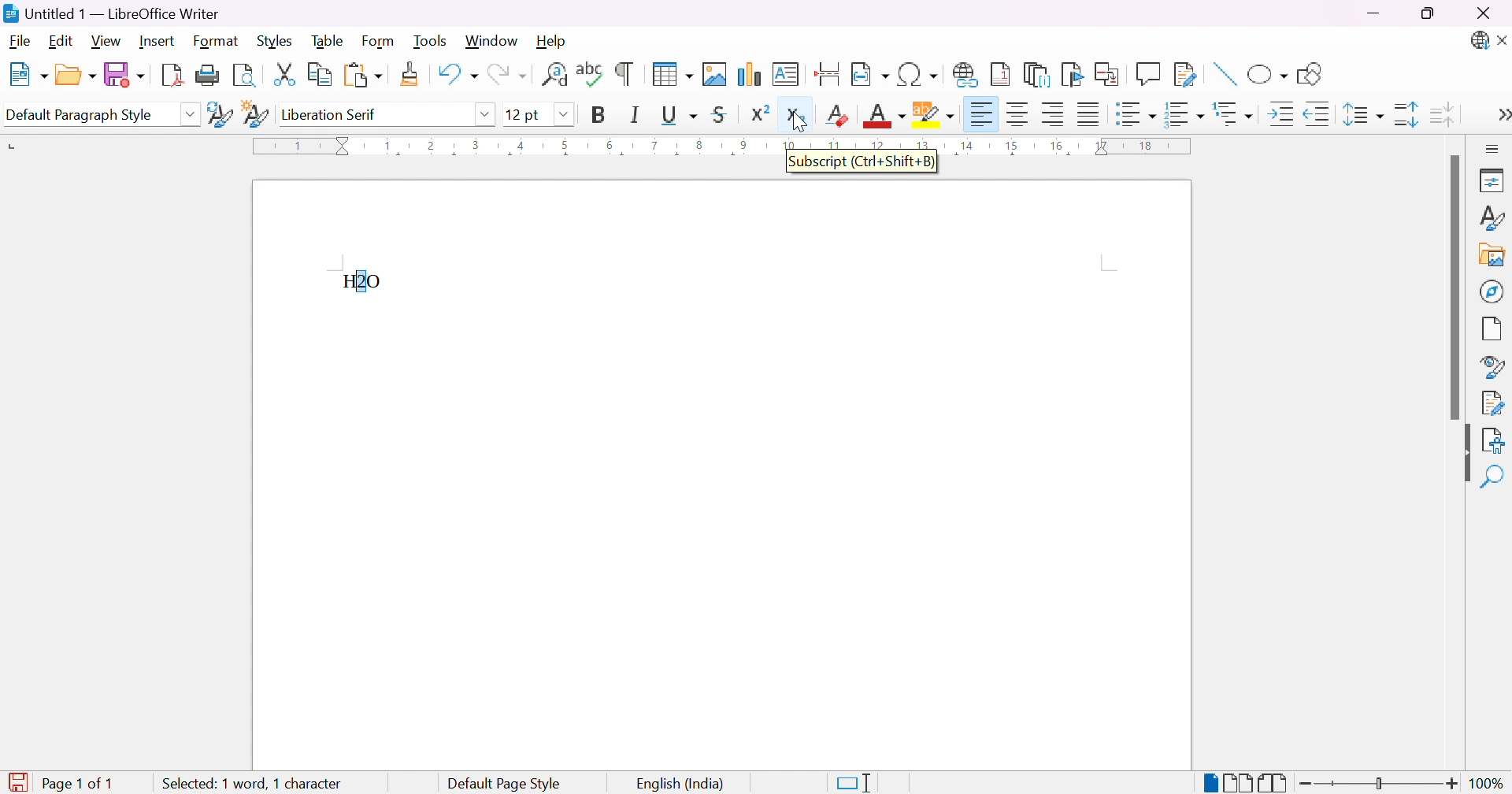 Image resolution: width=1512 pixels, height=794 pixels. I want to click on Clear direct formatting, so click(839, 114).